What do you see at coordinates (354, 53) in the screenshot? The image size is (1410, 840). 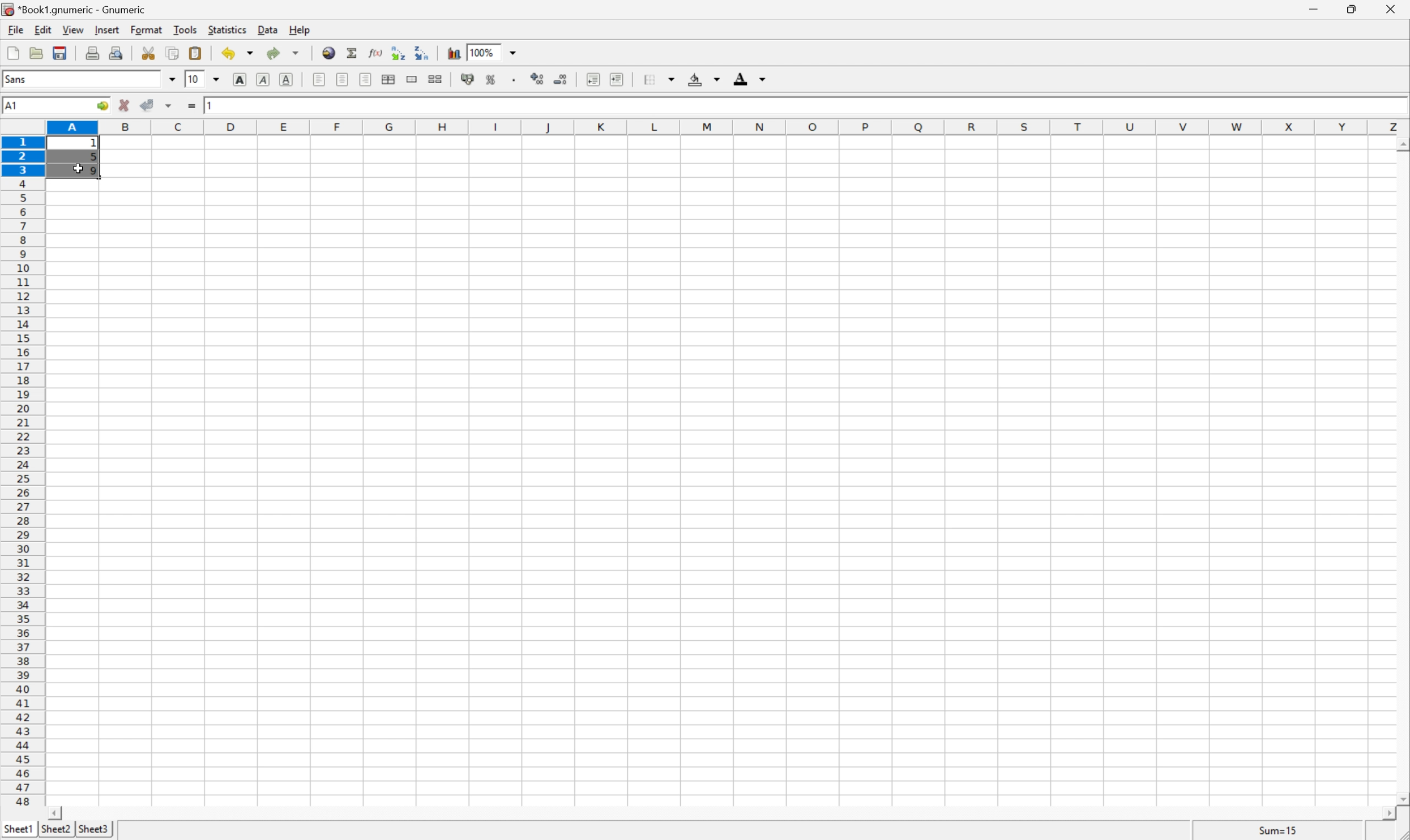 I see `sum in current cell` at bounding box center [354, 53].